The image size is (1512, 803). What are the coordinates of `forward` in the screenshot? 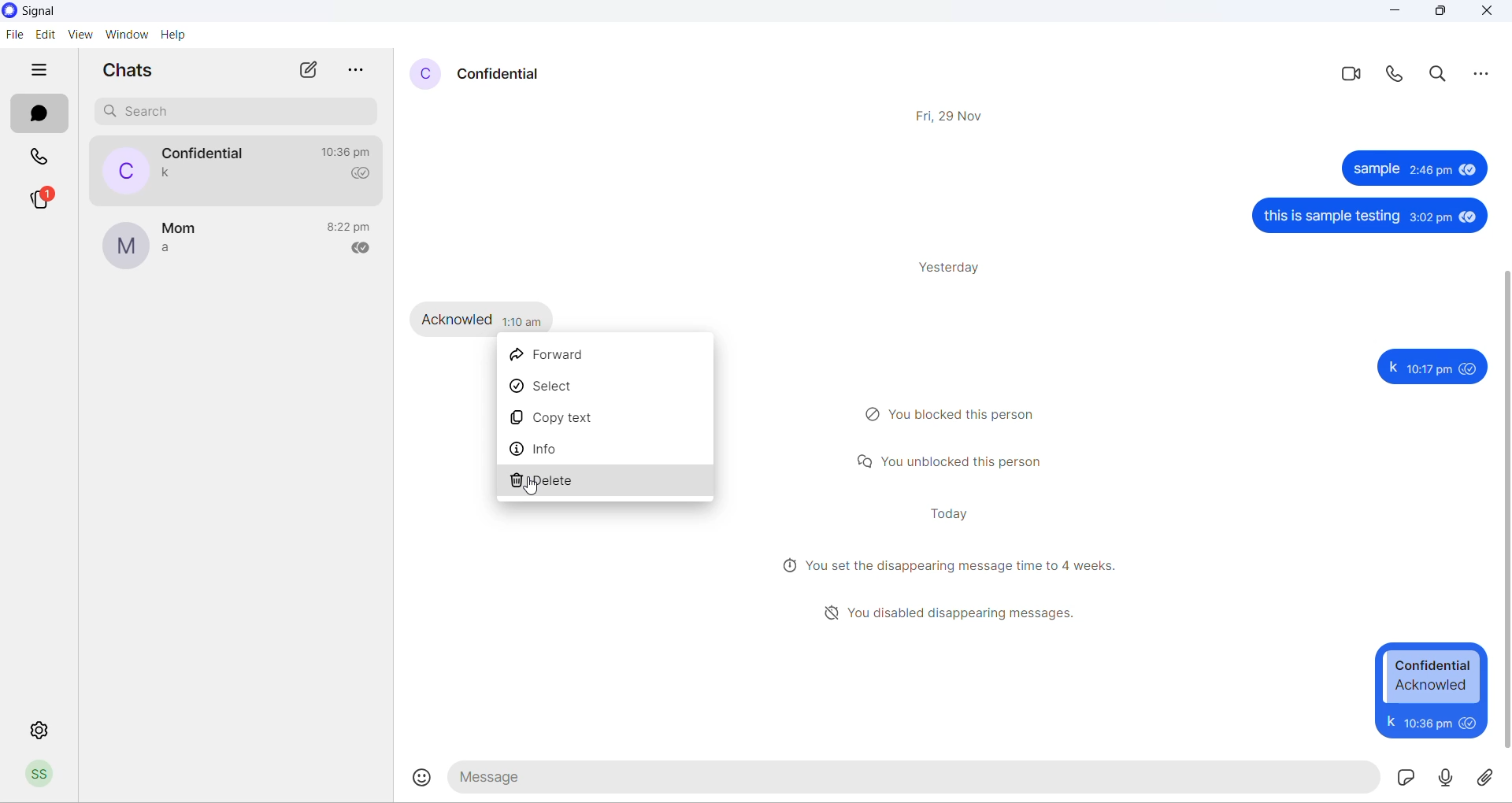 It's located at (610, 356).